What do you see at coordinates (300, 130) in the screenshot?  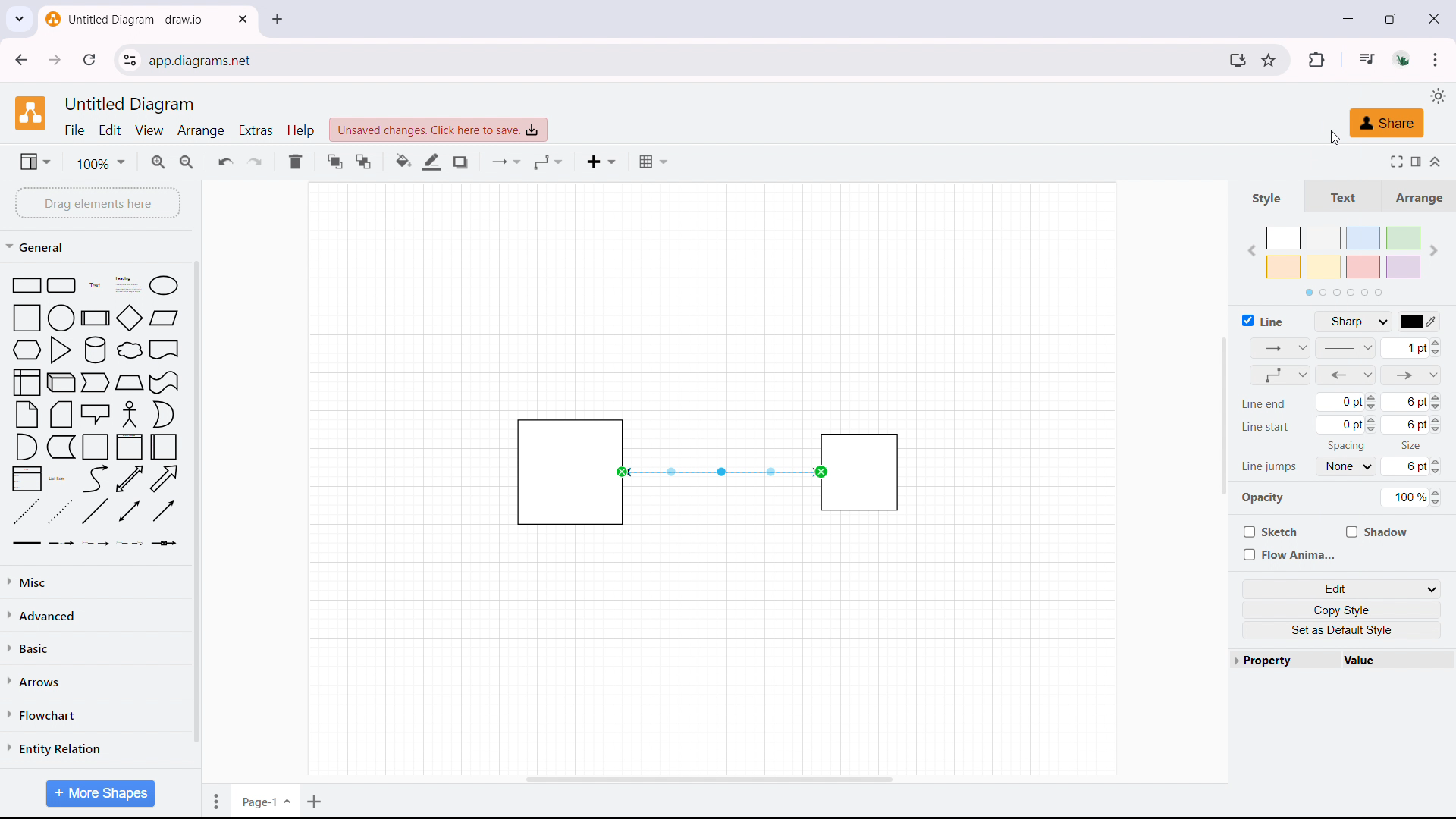 I see `help` at bounding box center [300, 130].